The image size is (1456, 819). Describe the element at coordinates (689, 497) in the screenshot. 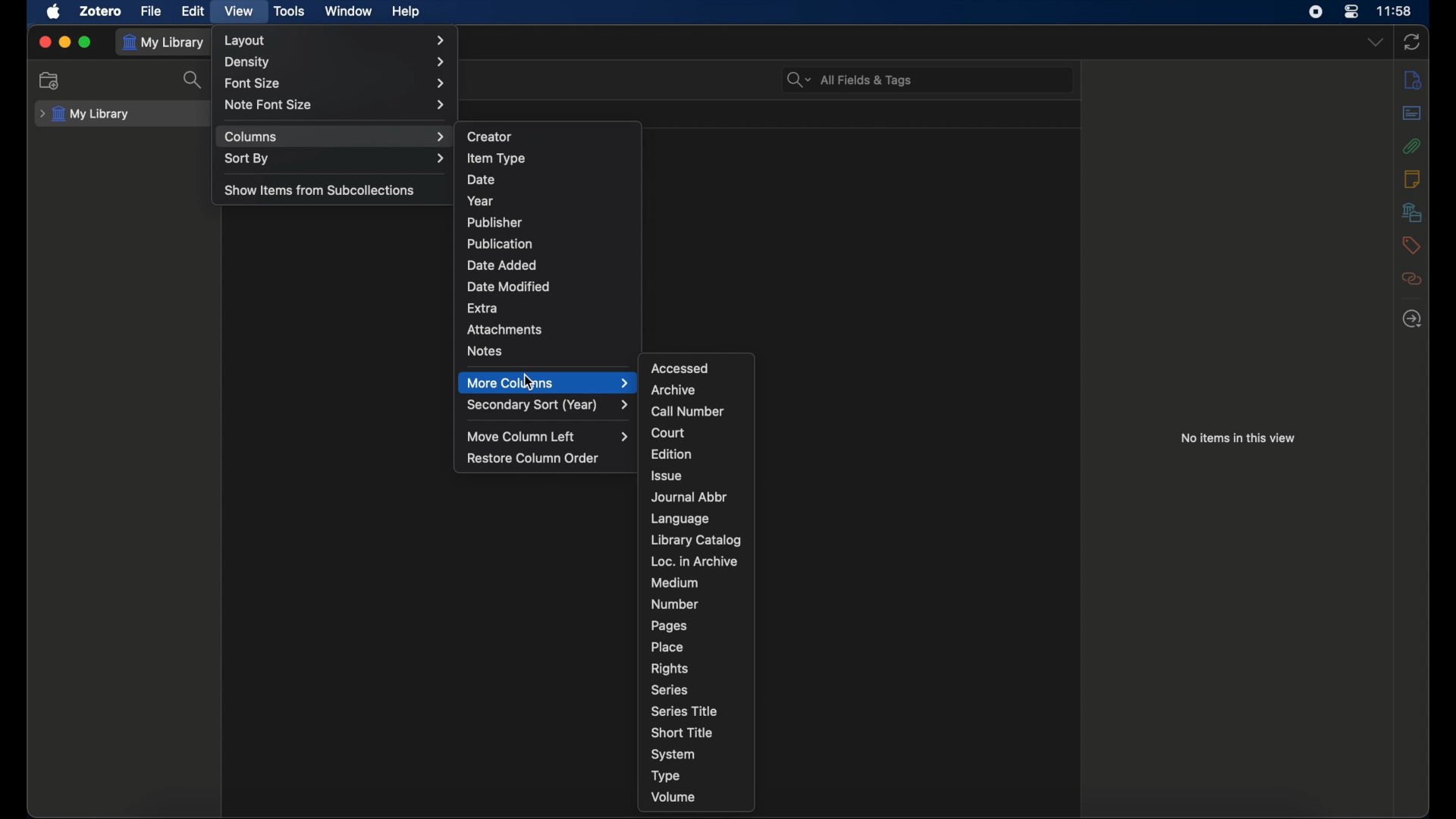

I see `journal abbr` at that location.